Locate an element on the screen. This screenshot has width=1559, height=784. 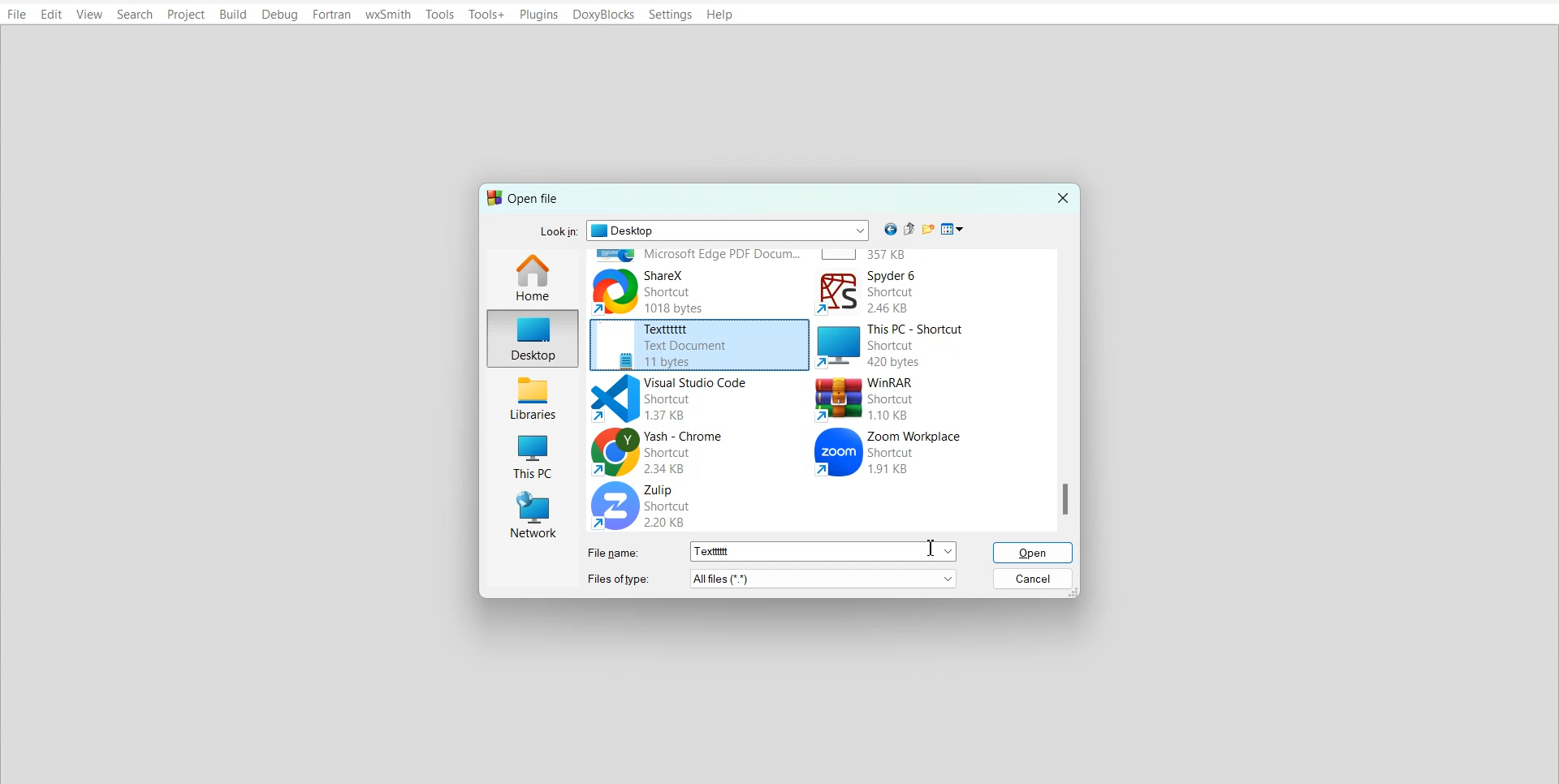
Debug is located at coordinates (279, 15).